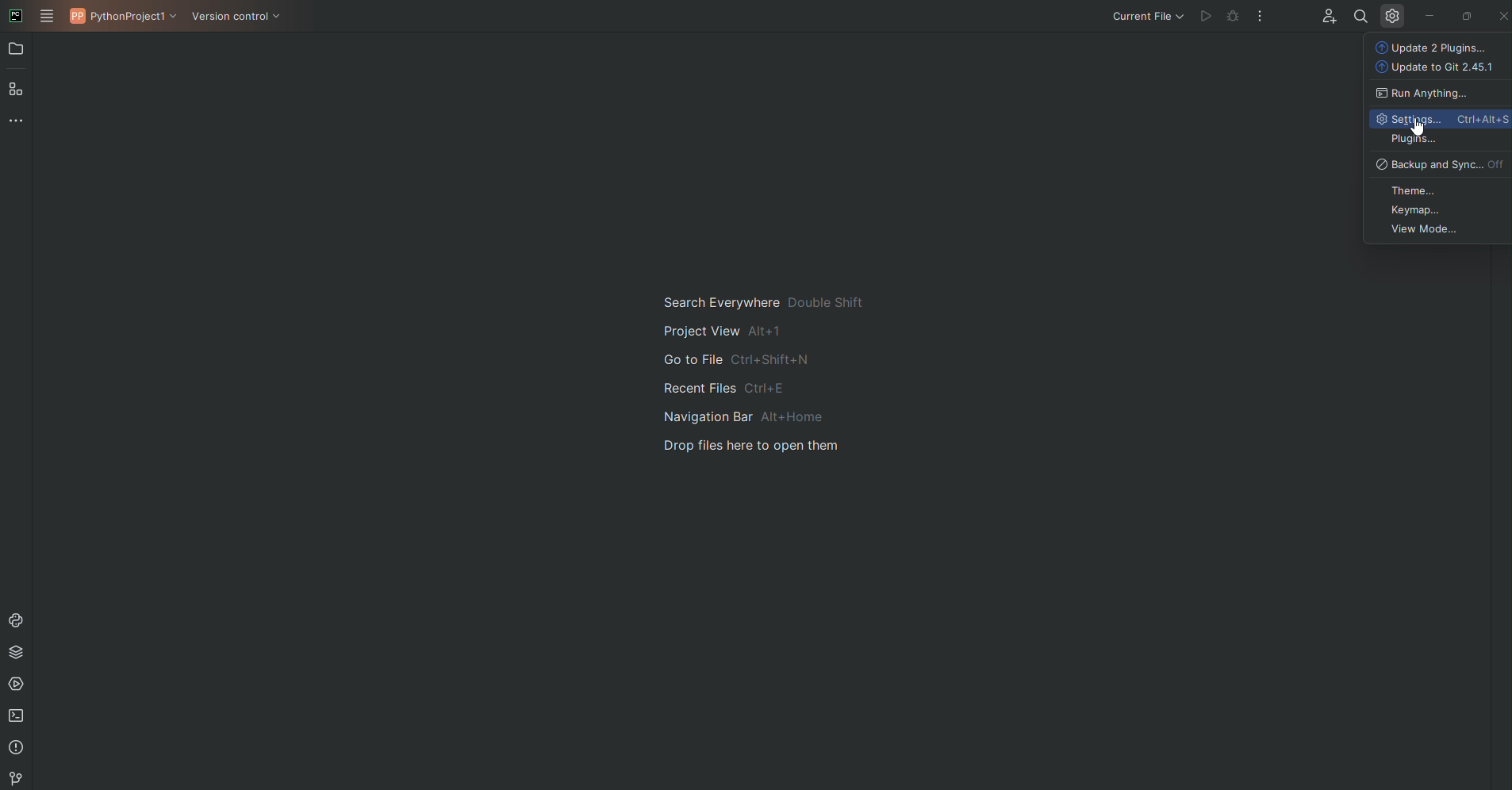 The height and width of the screenshot is (790, 1512). Describe the element at coordinates (1408, 230) in the screenshot. I see `View Mode` at that location.